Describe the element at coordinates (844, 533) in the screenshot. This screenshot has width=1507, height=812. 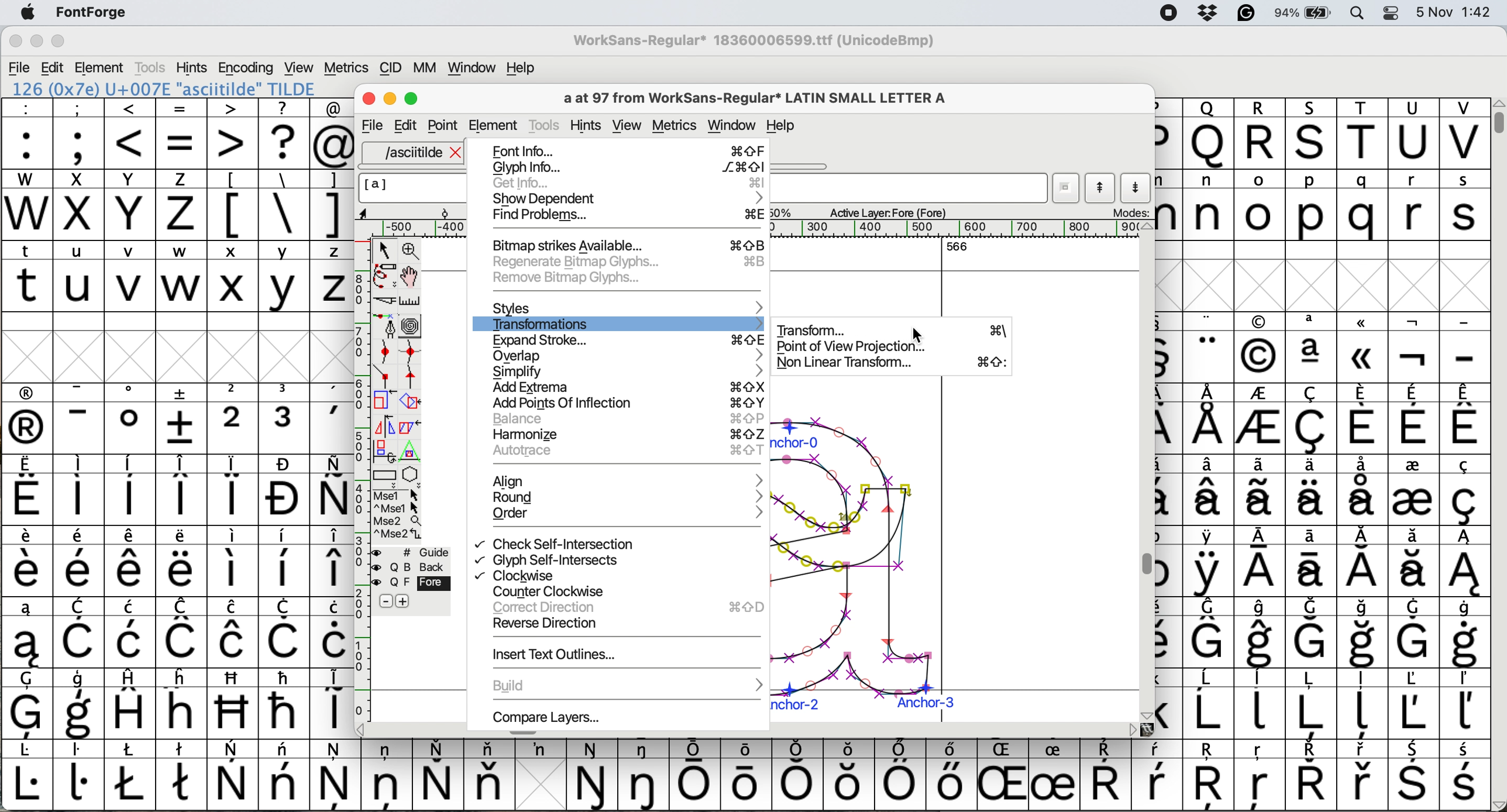
I see `glyph copied and pasted` at that location.